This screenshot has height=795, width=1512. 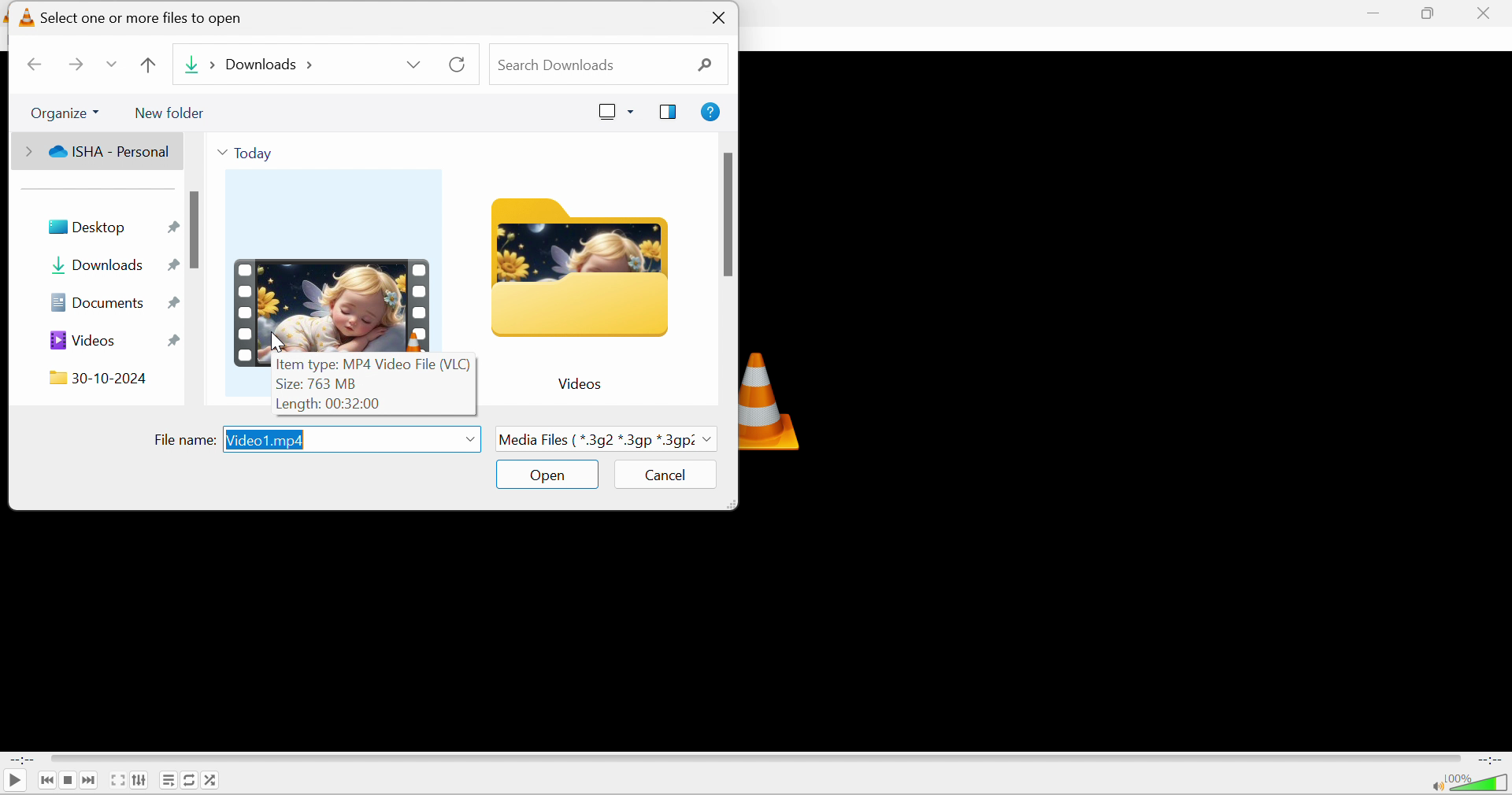 What do you see at coordinates (617, 113) in the screenshot?
I see `Change your view` at bounding box center [617, 113].